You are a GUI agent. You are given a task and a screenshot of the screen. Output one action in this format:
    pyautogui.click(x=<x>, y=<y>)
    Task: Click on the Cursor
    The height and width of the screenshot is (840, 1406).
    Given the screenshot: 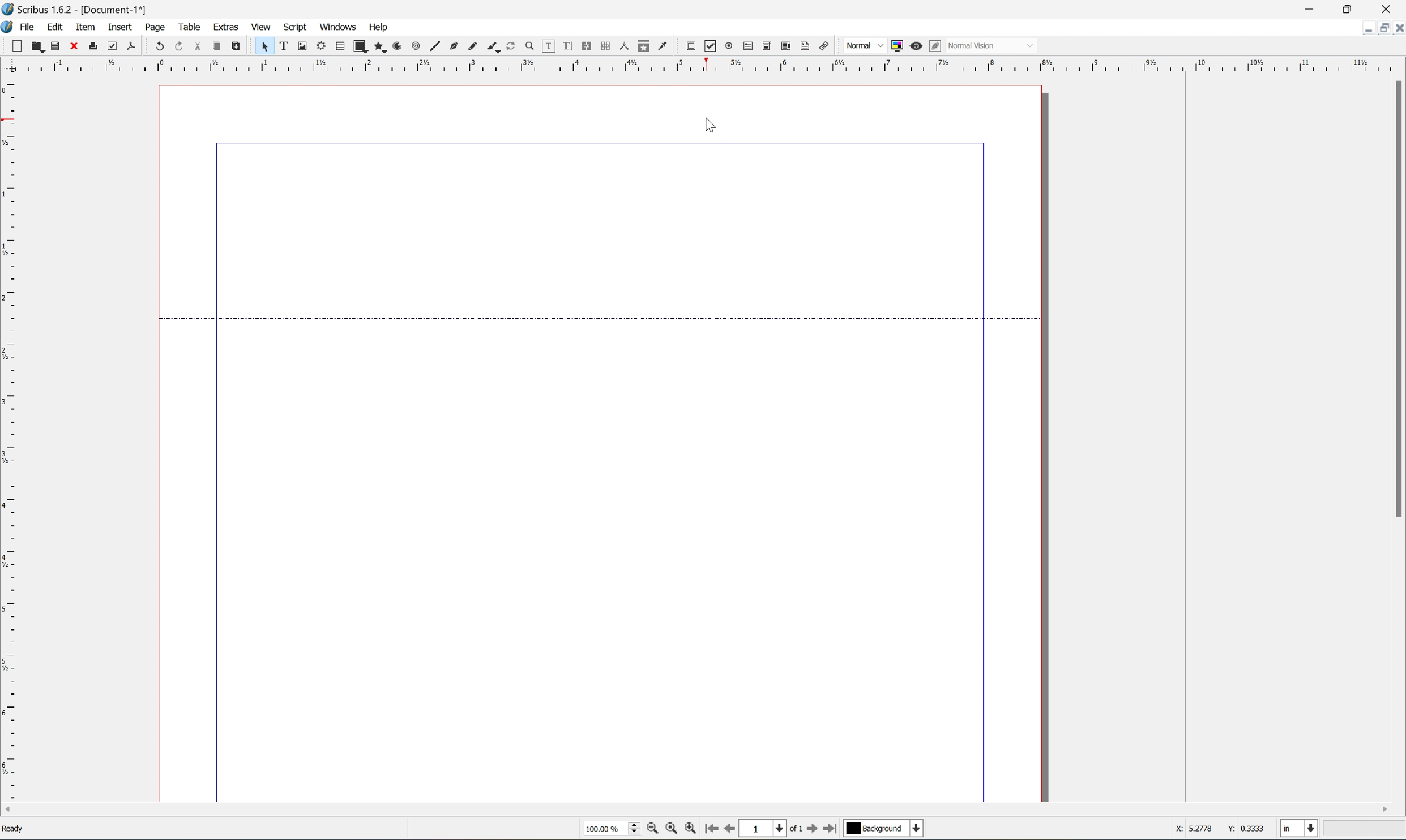 What is the action you would take?
    pyautogui.click(x=713, y=122)
    